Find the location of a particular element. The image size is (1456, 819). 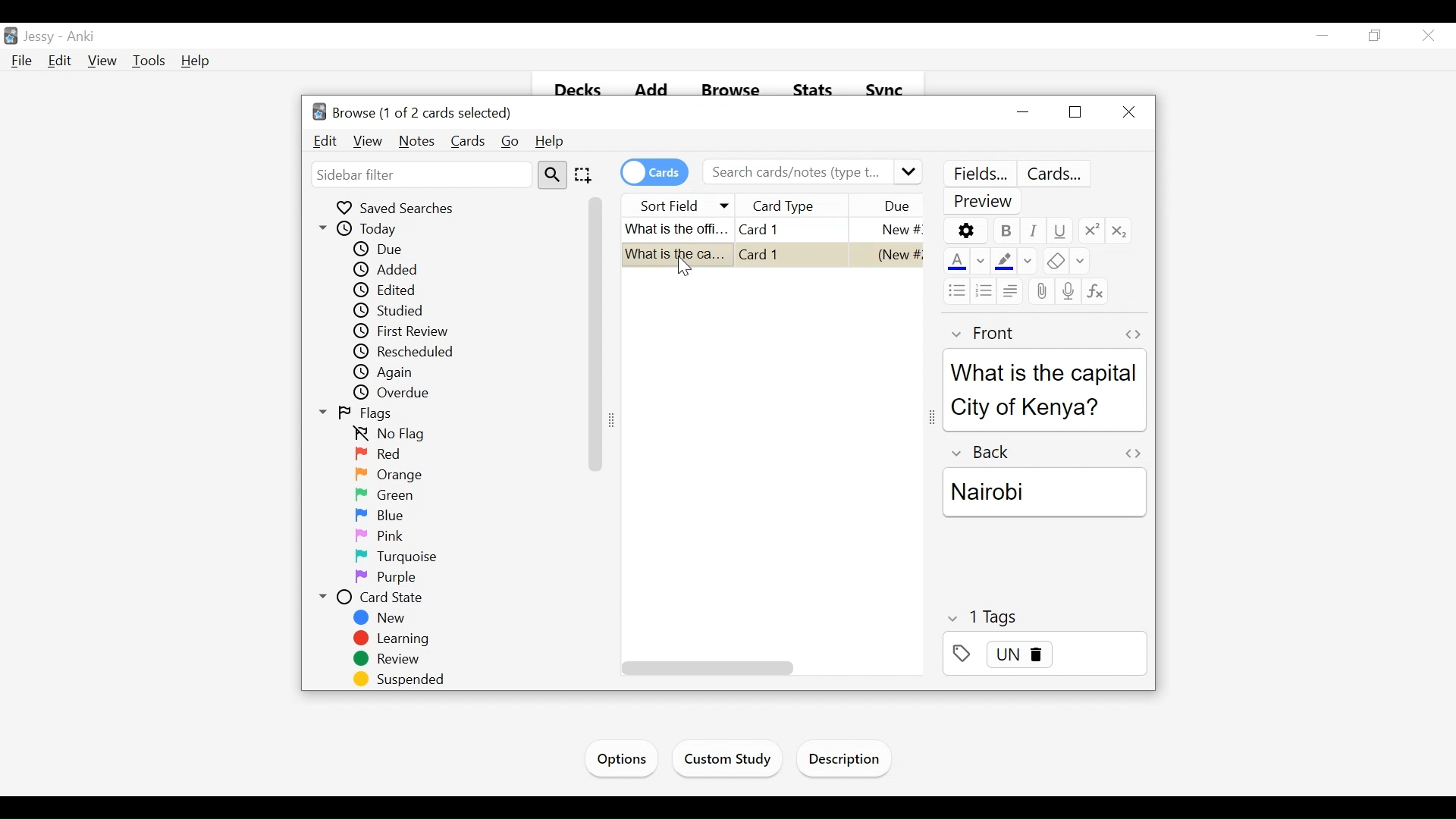

Stats is located at coordinates (811, 93).